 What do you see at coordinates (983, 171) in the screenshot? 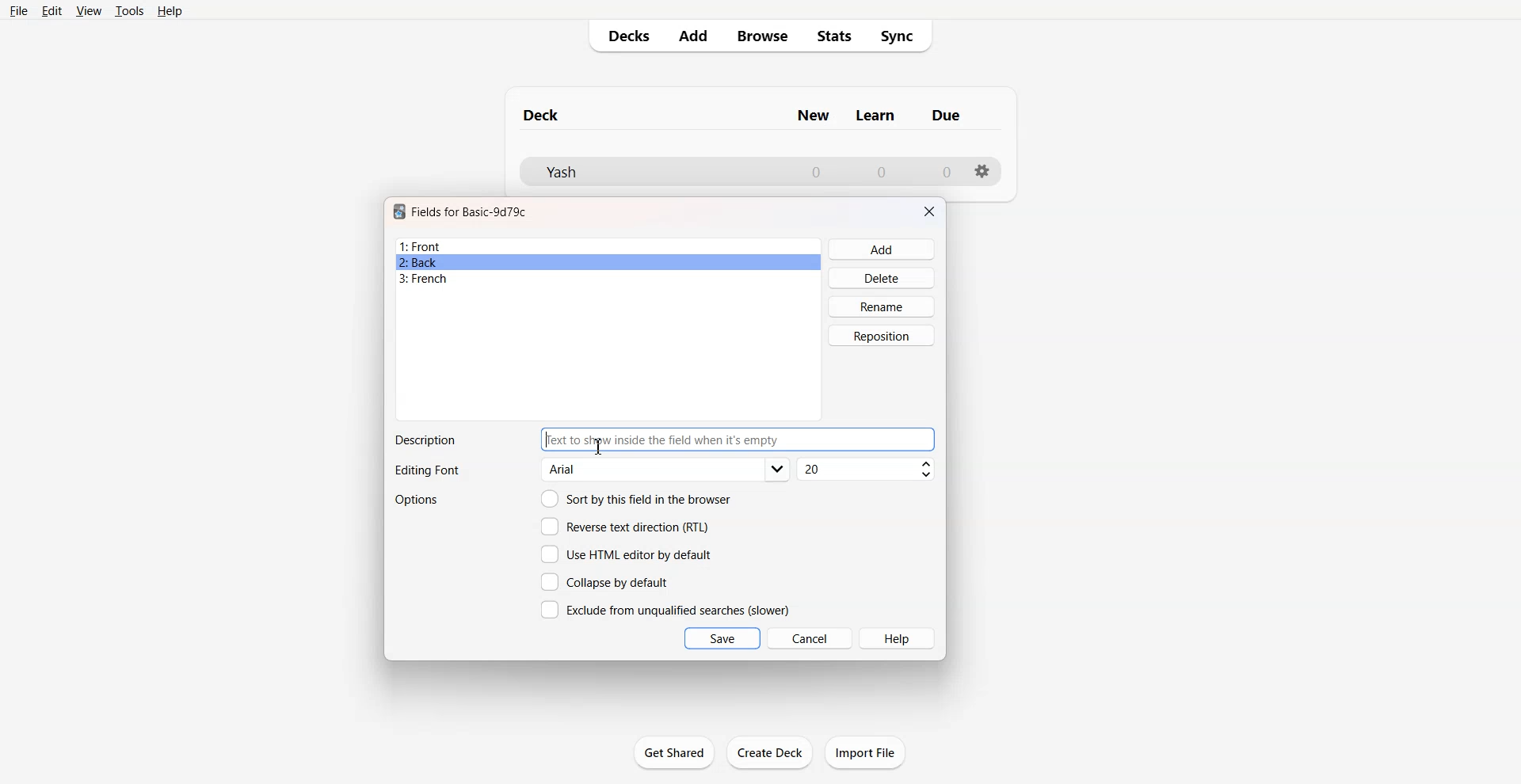
I see `Settings` at bounding box center [983, 171].